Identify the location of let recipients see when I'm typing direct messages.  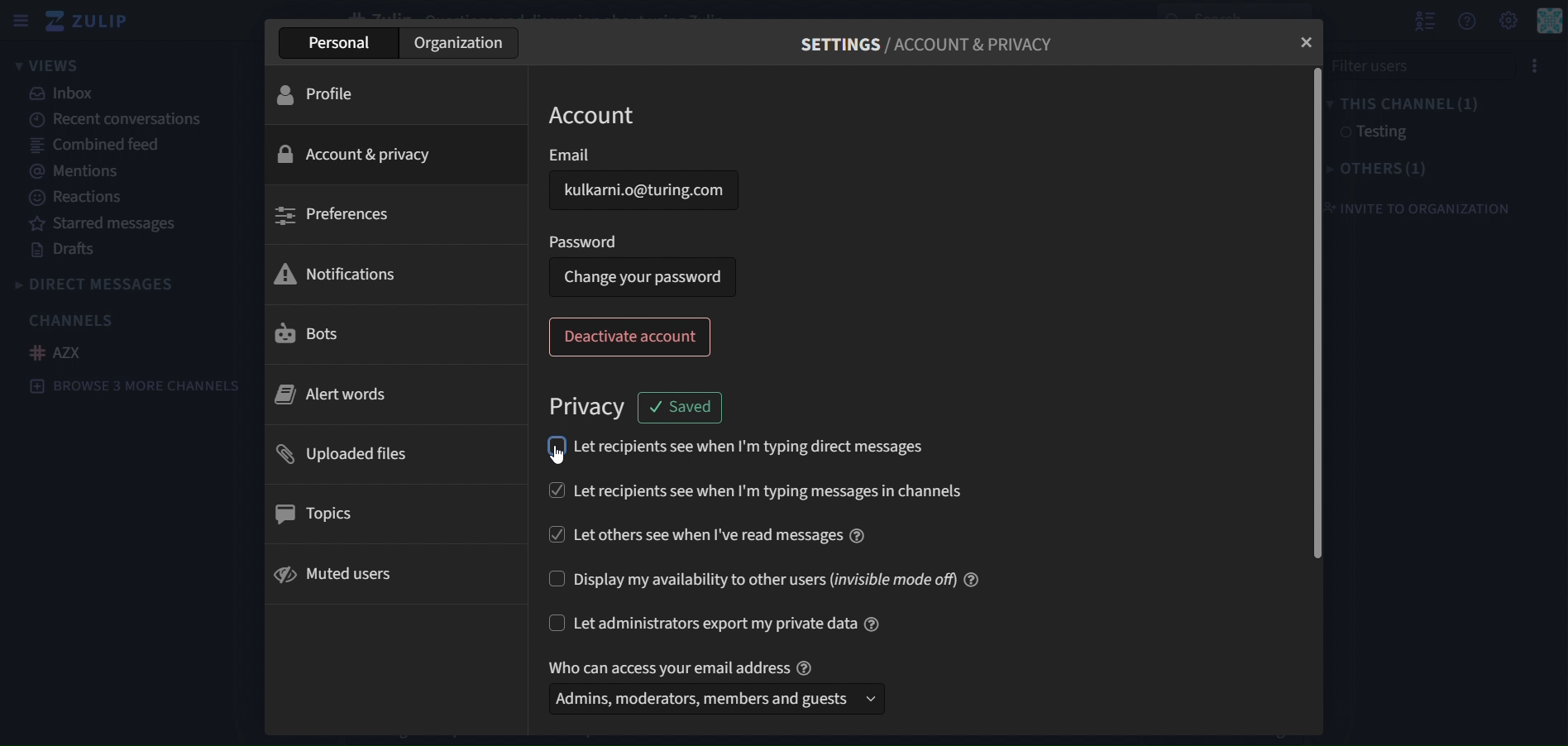
(739, 447).